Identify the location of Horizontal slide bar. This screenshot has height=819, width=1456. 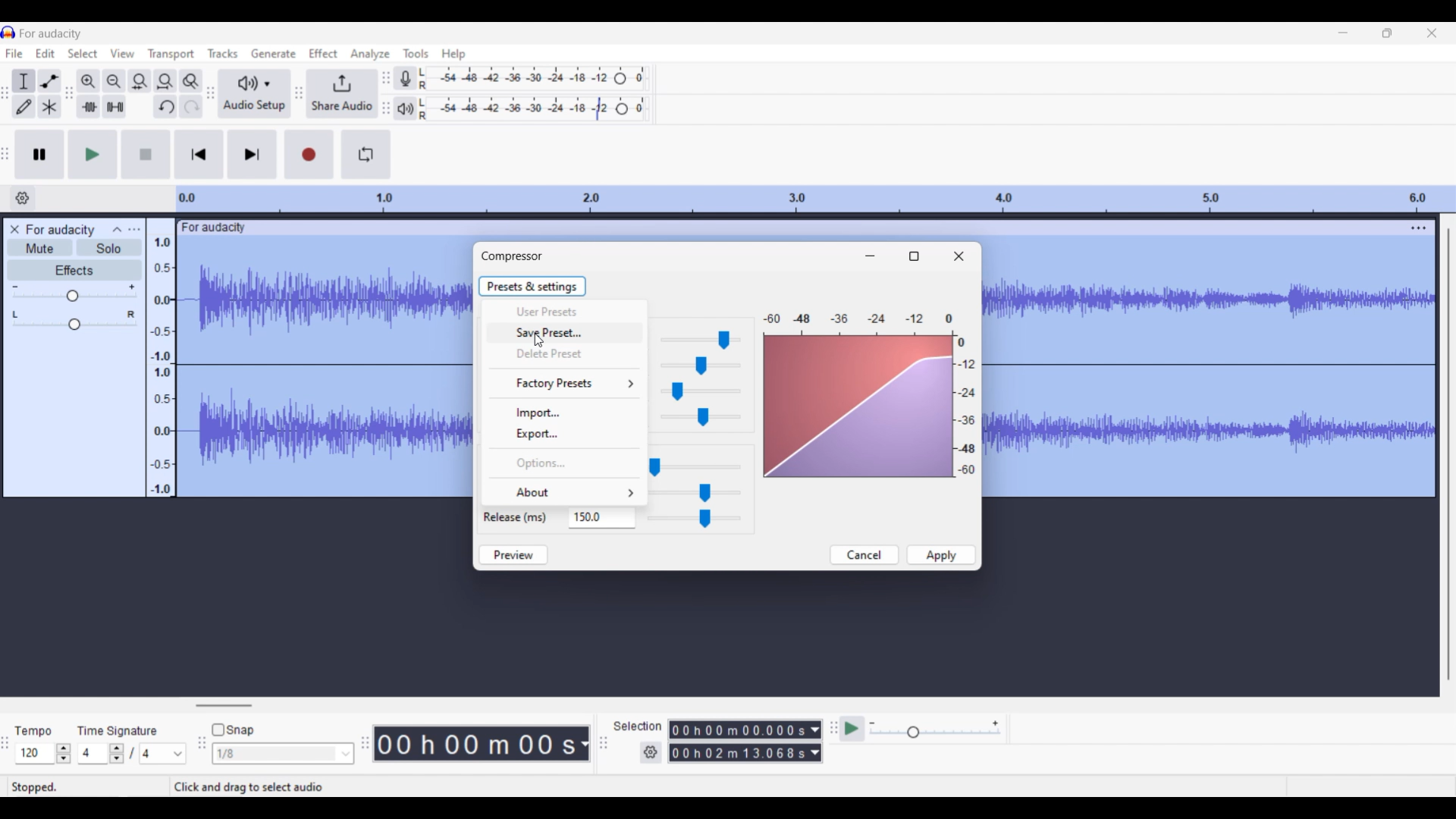
(224, 705).